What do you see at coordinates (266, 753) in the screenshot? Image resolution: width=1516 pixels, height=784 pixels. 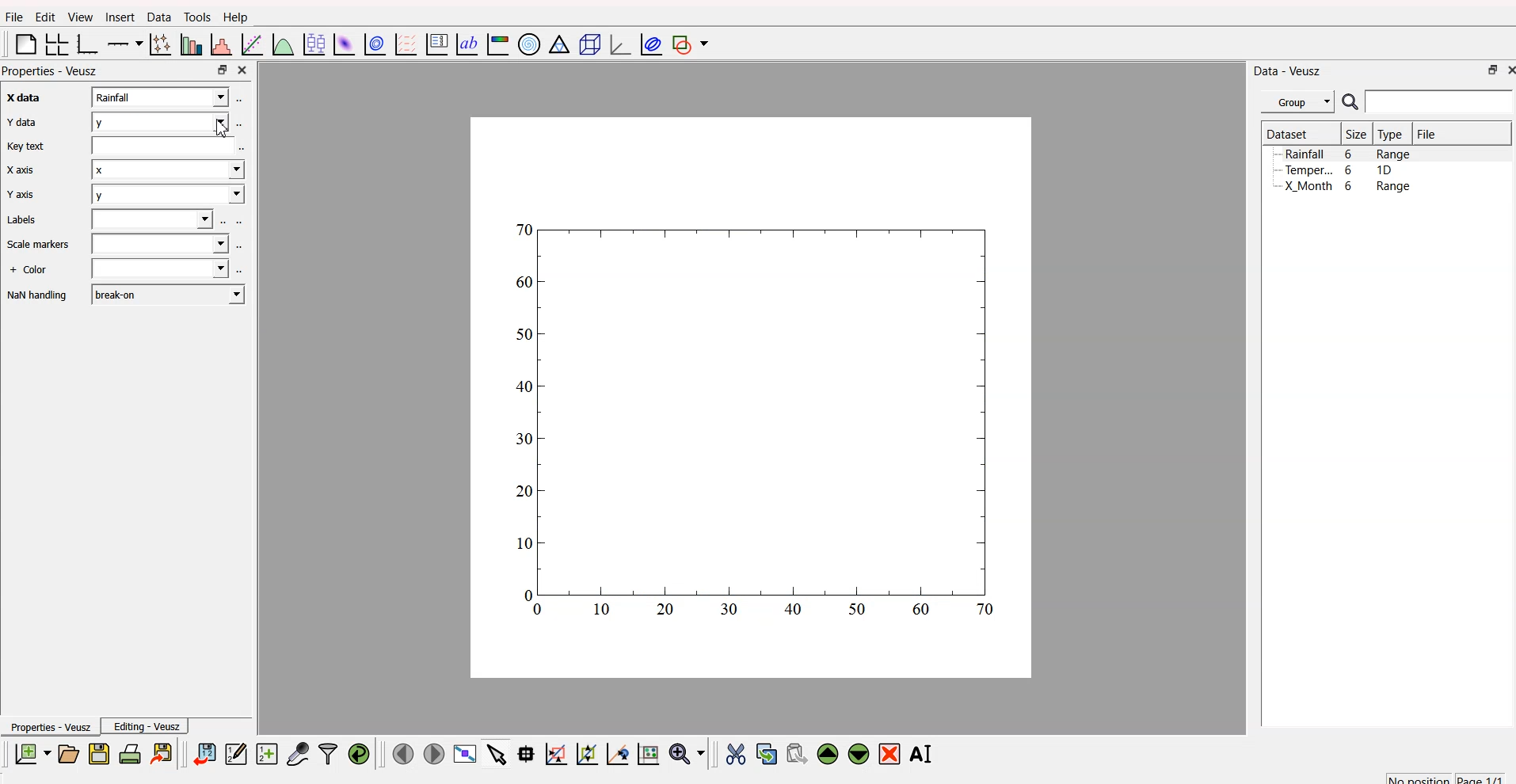 I see `create a new dataset` at bounding box center [266, 753].